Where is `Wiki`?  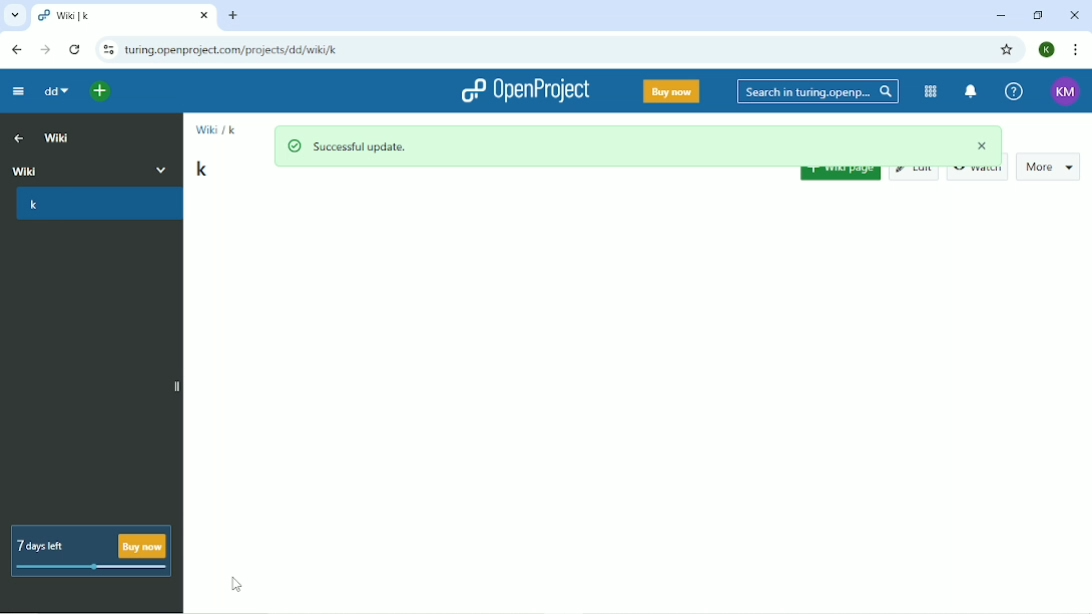 Wiki is located at coordinates (205, 128).